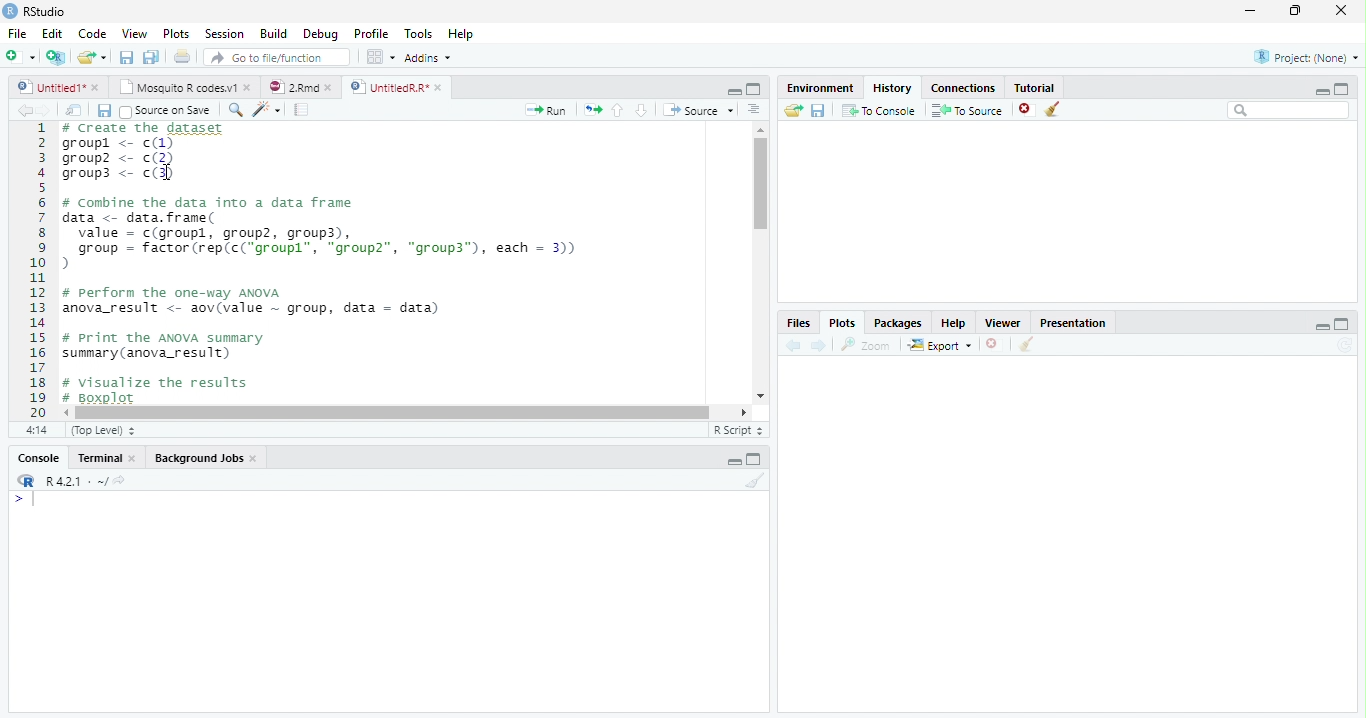  I want to click on Untitled R*, so click(396, 87).